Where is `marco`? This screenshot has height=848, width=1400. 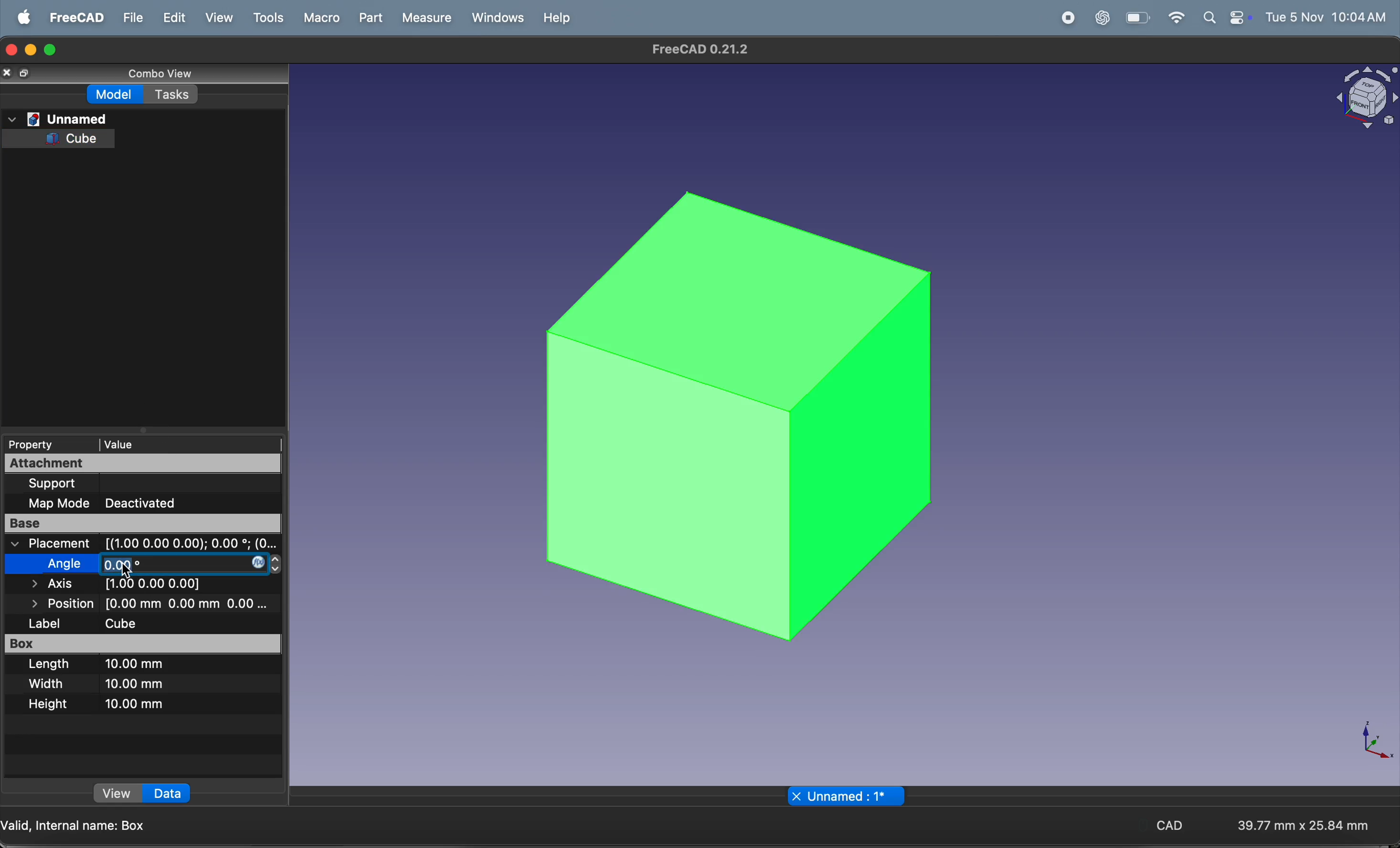 marco is located at coordinates (322, 16).